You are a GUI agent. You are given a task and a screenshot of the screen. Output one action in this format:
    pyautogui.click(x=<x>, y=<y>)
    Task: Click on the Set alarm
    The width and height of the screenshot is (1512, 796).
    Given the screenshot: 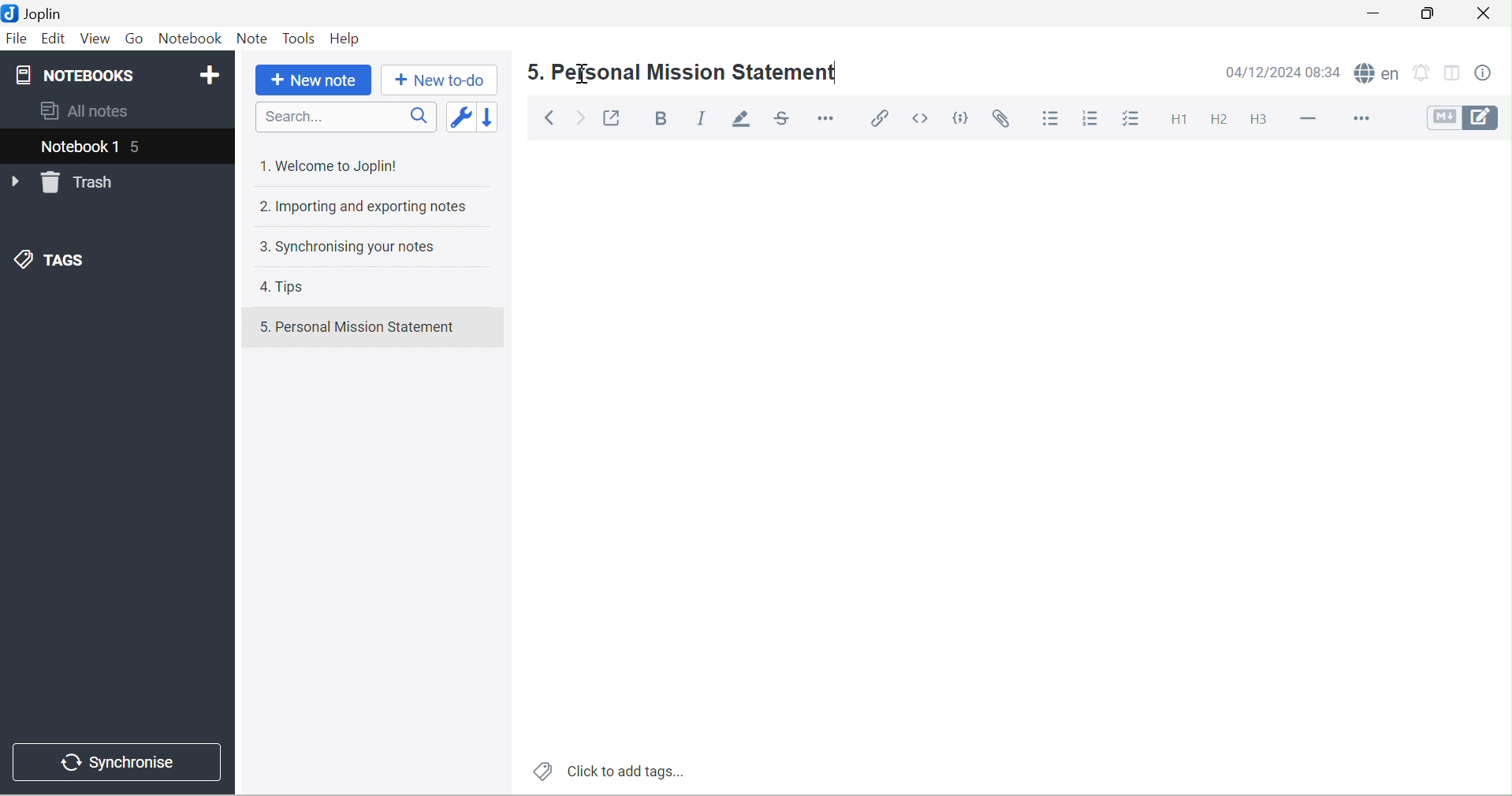 What is the action you would take?
    pyautogui.click(x=1423, y=74)
    